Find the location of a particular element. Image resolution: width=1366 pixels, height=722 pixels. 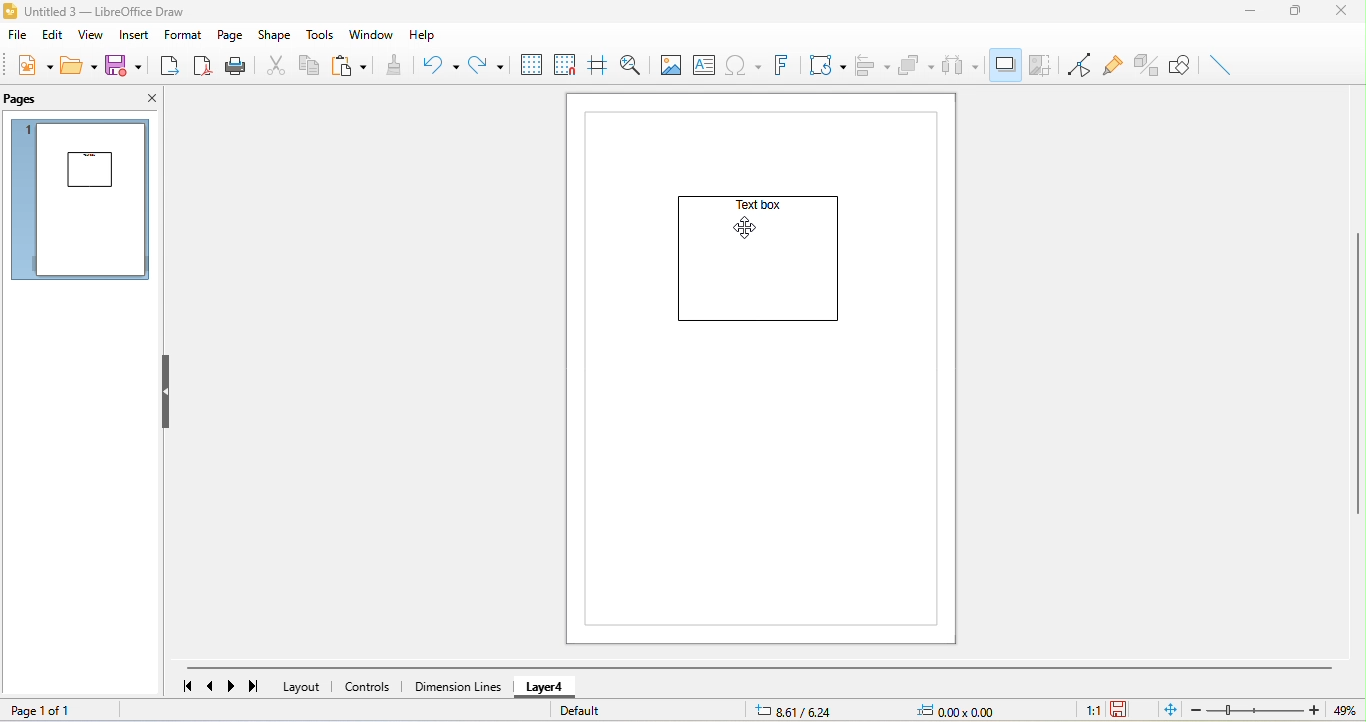

text box in a frame is located at coordinates (759, 273).